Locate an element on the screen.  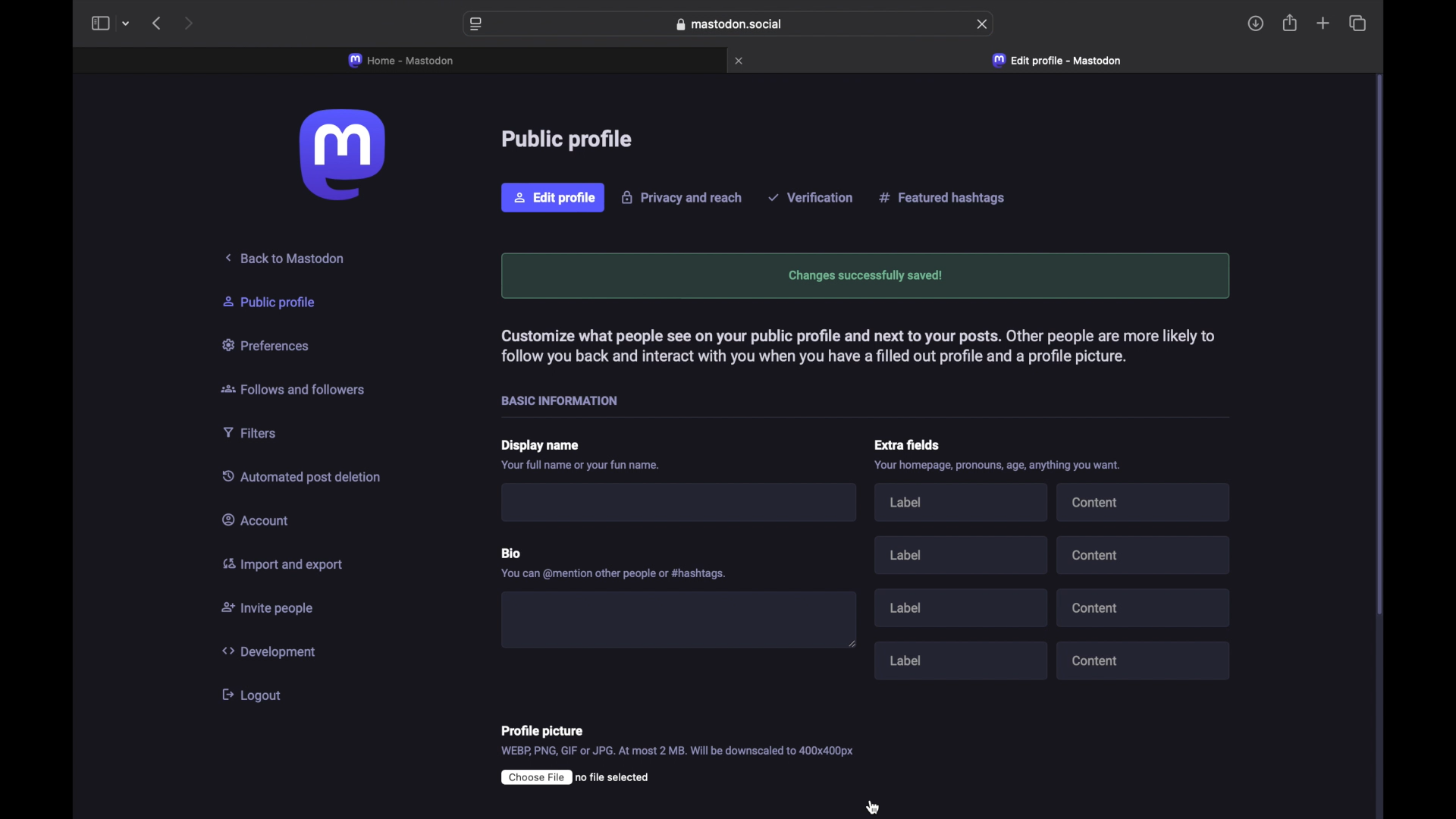
Bio
You can @mention other people or #hashtags. is located at coordinates (625, 562).